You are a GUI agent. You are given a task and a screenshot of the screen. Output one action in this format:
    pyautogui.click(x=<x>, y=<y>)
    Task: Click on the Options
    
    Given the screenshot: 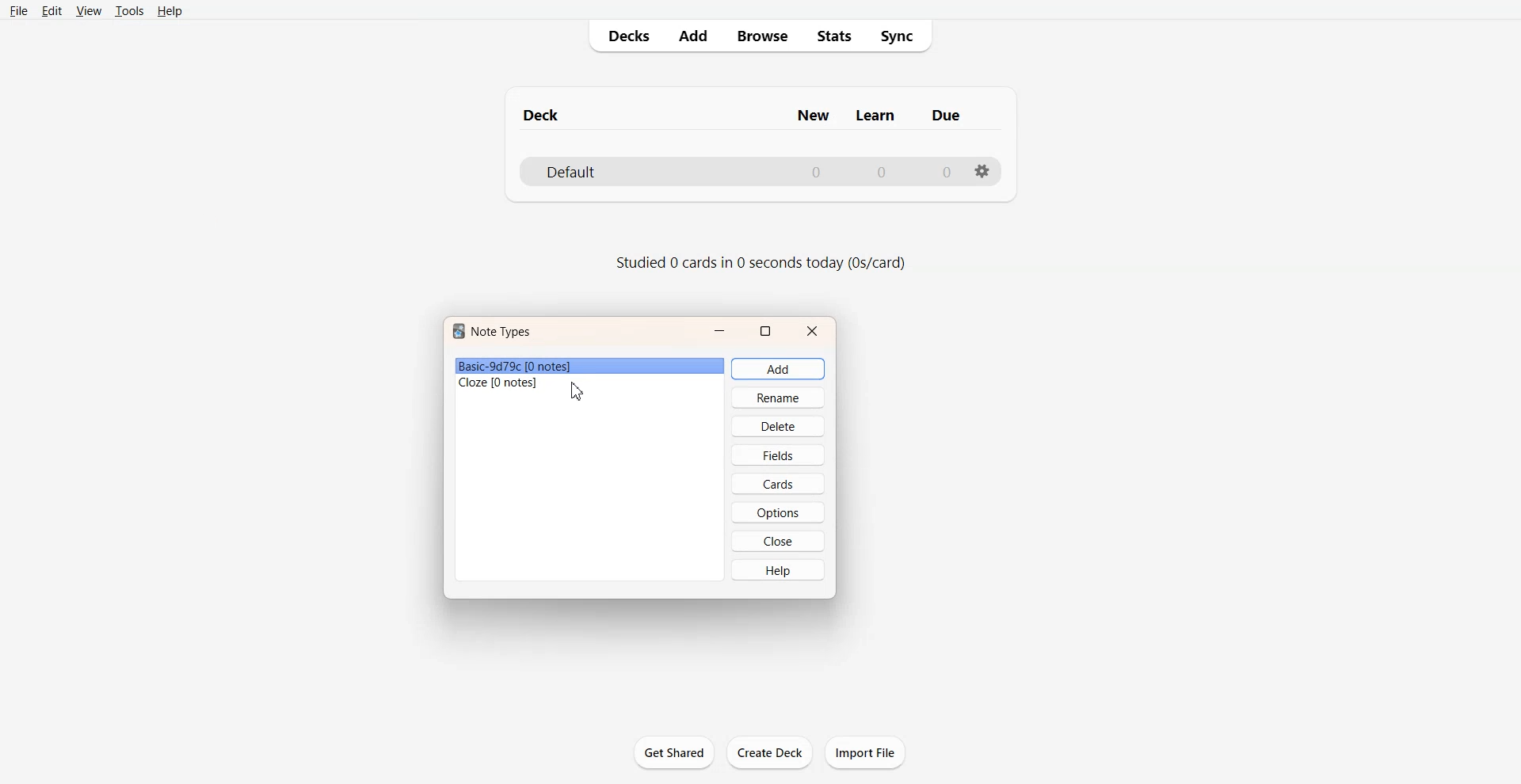 What is the action you would take?
    pyautogui.click(x=778, y=512)
    